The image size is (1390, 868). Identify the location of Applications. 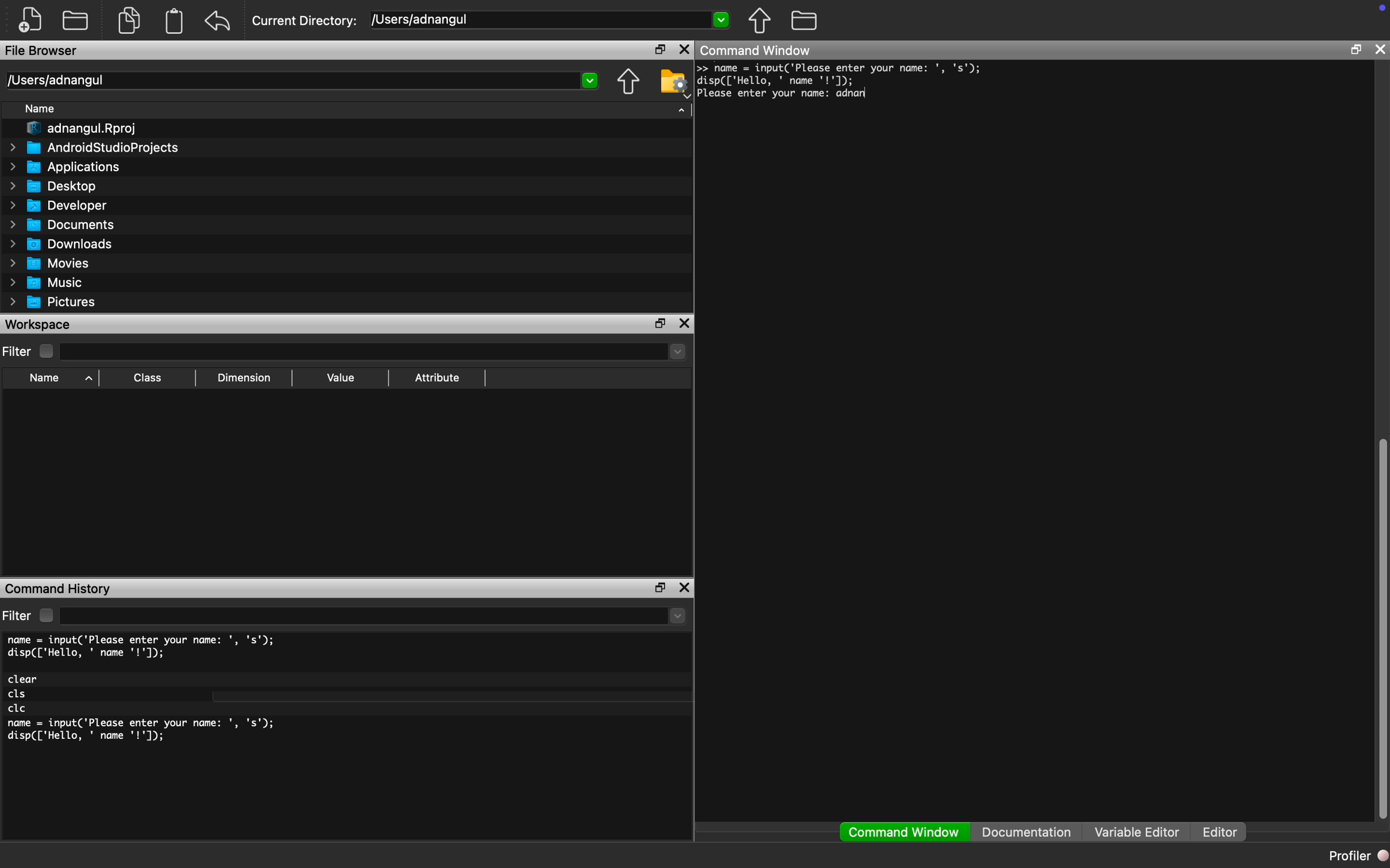
(66, 167).